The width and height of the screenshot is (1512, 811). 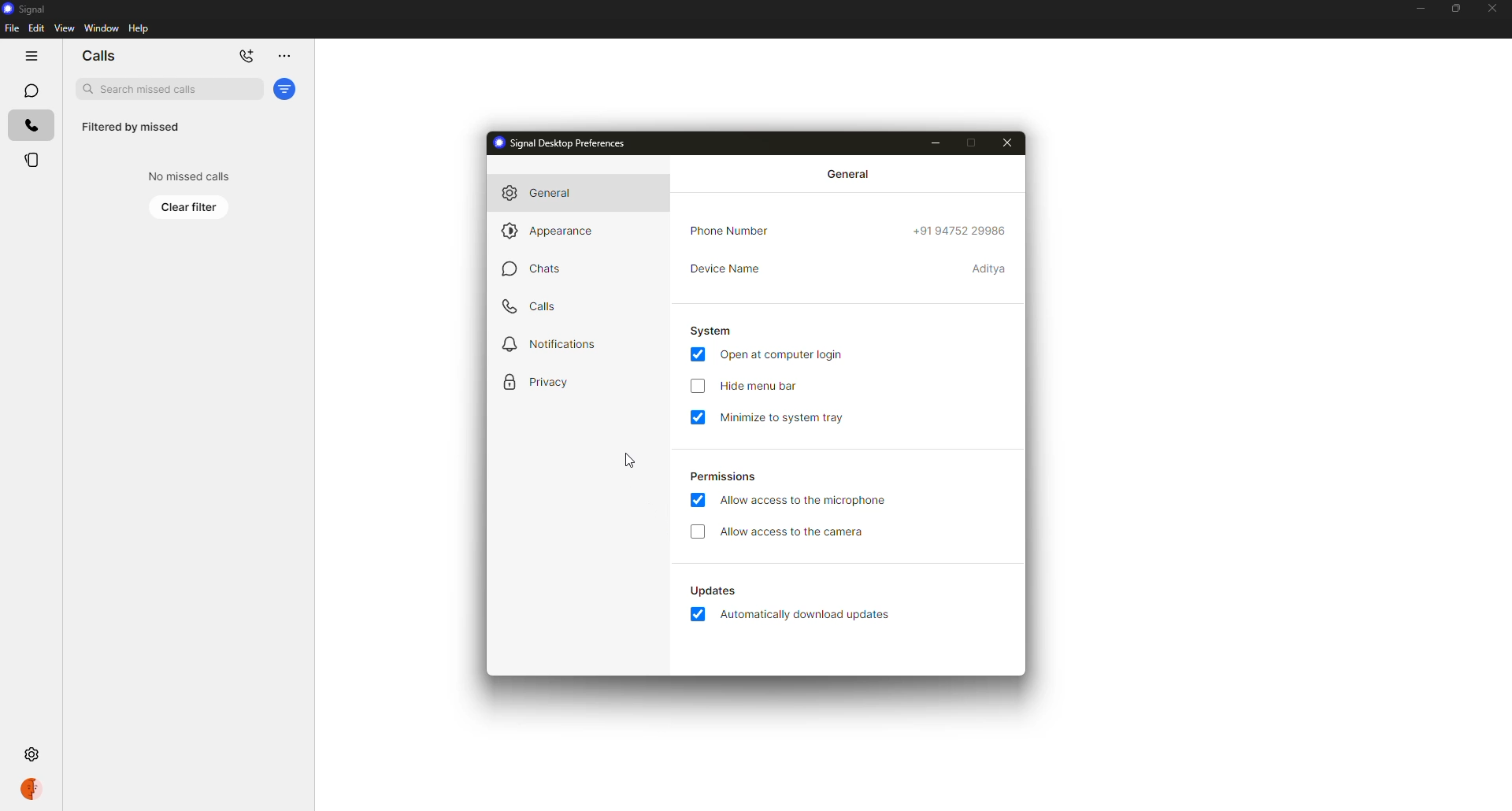 What do you see at coordinates (102, 29) in the screenshot?
I see `window` at bounding box center [102, 29].